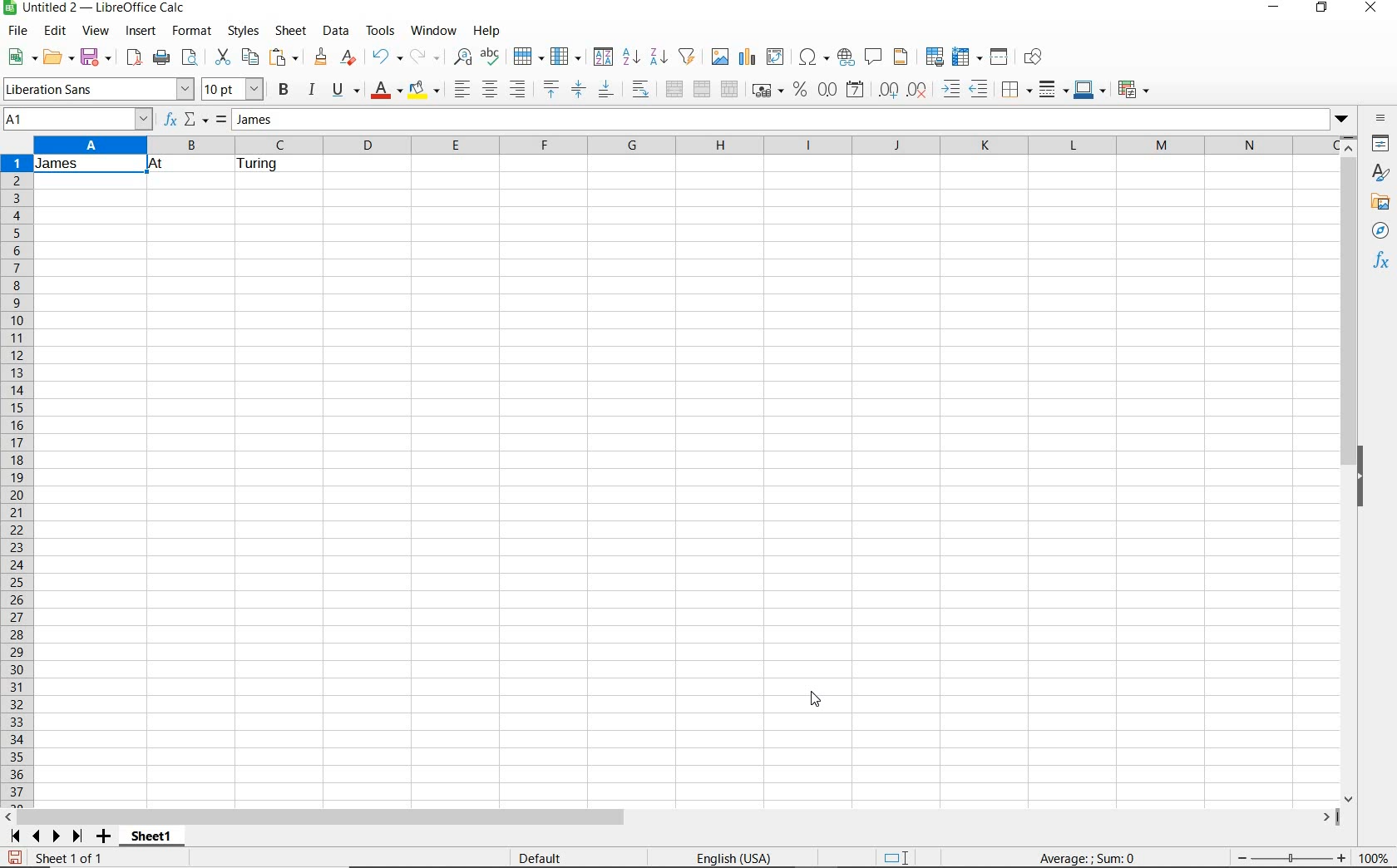 The image size is (1397, 868). Describe the element at coordinates (529, 56) in the screenshot. I see `row` at that location.